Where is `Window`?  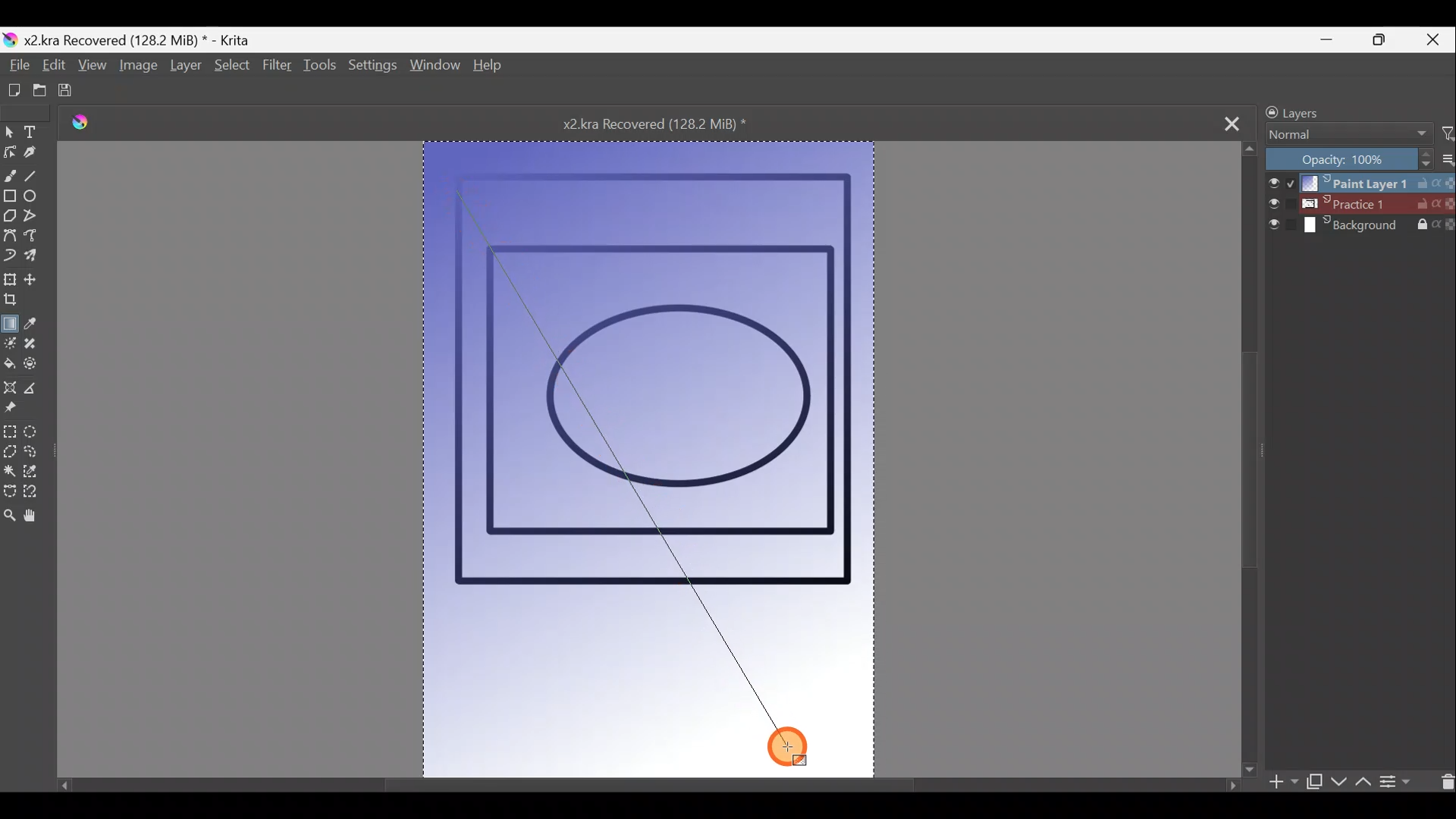 Window is located at coordinates (435, 68).